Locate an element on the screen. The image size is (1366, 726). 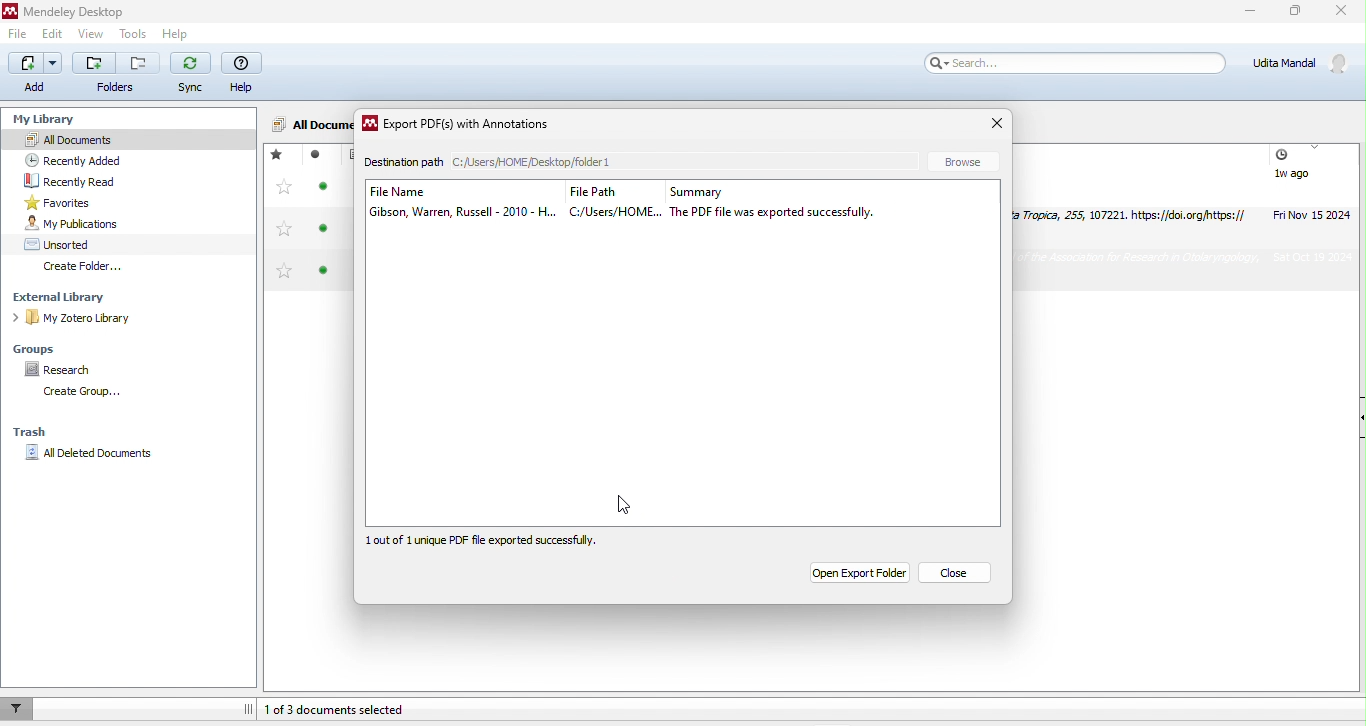
add this reference to favourites is located at coordinates (285, 215).